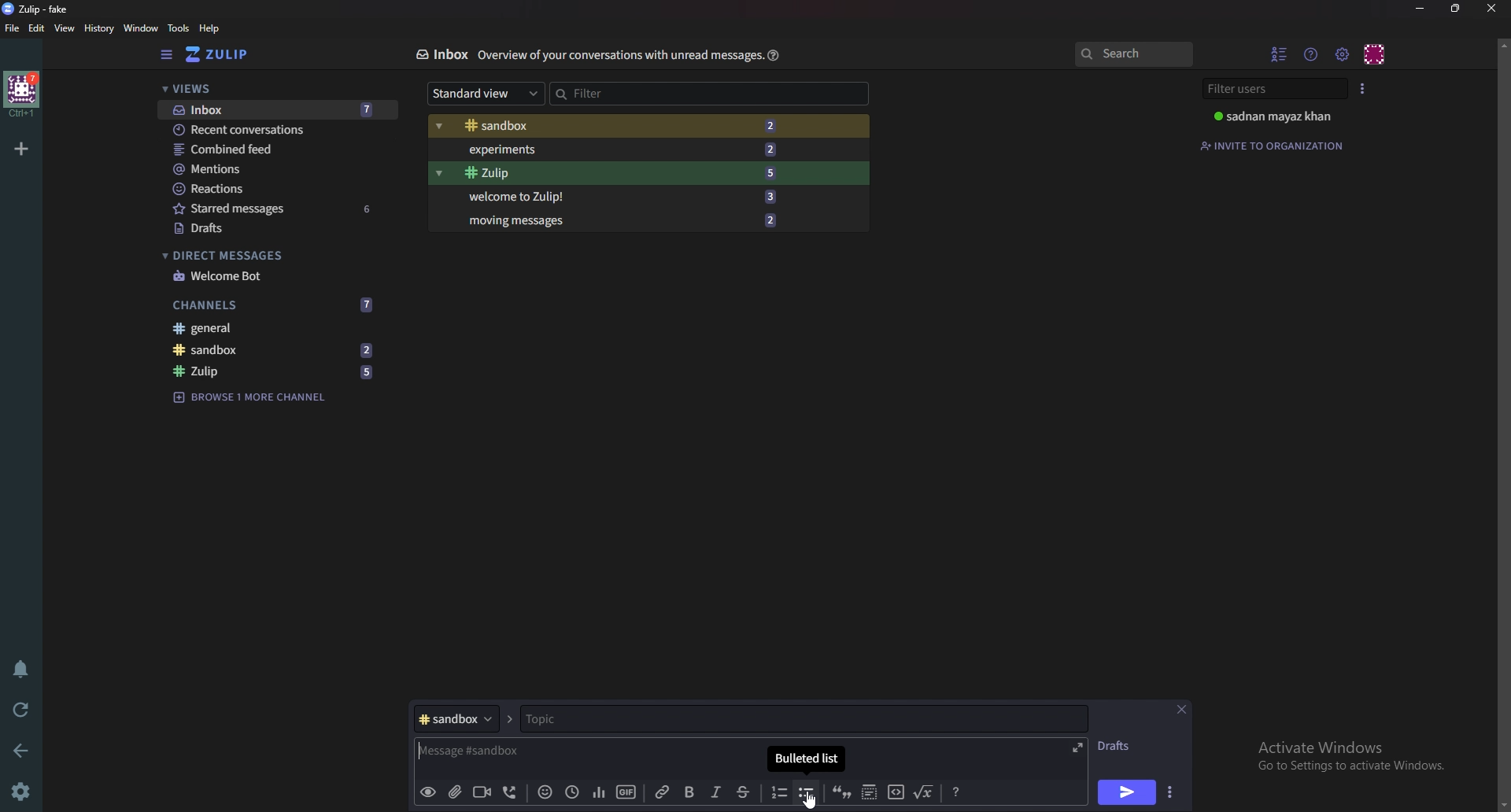 The width and height of the screenshot is (1511, 812). I want to click on add file, so click(453, 792).